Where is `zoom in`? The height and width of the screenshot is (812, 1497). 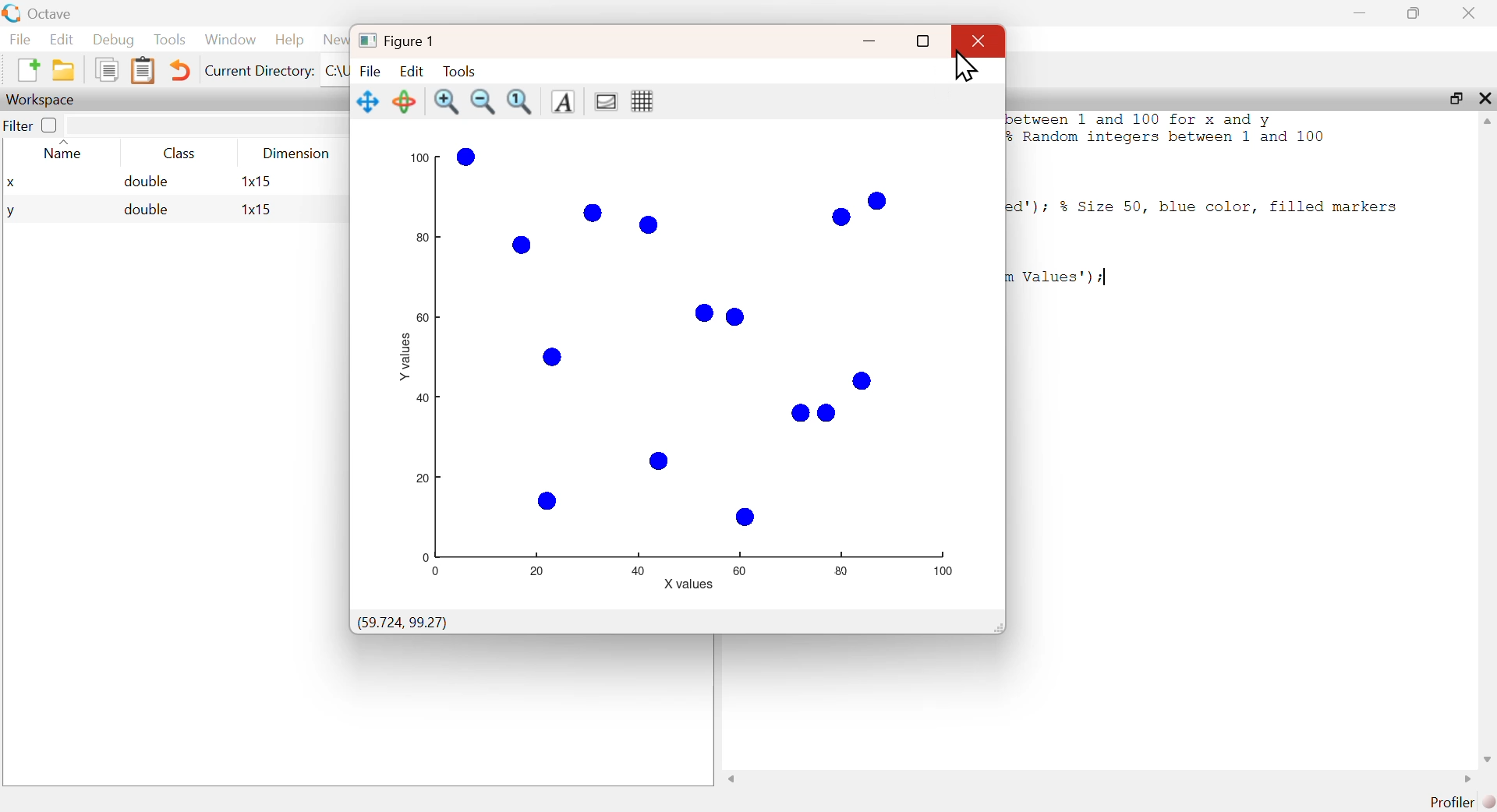 zoom in is located at coordinates (447, 101).